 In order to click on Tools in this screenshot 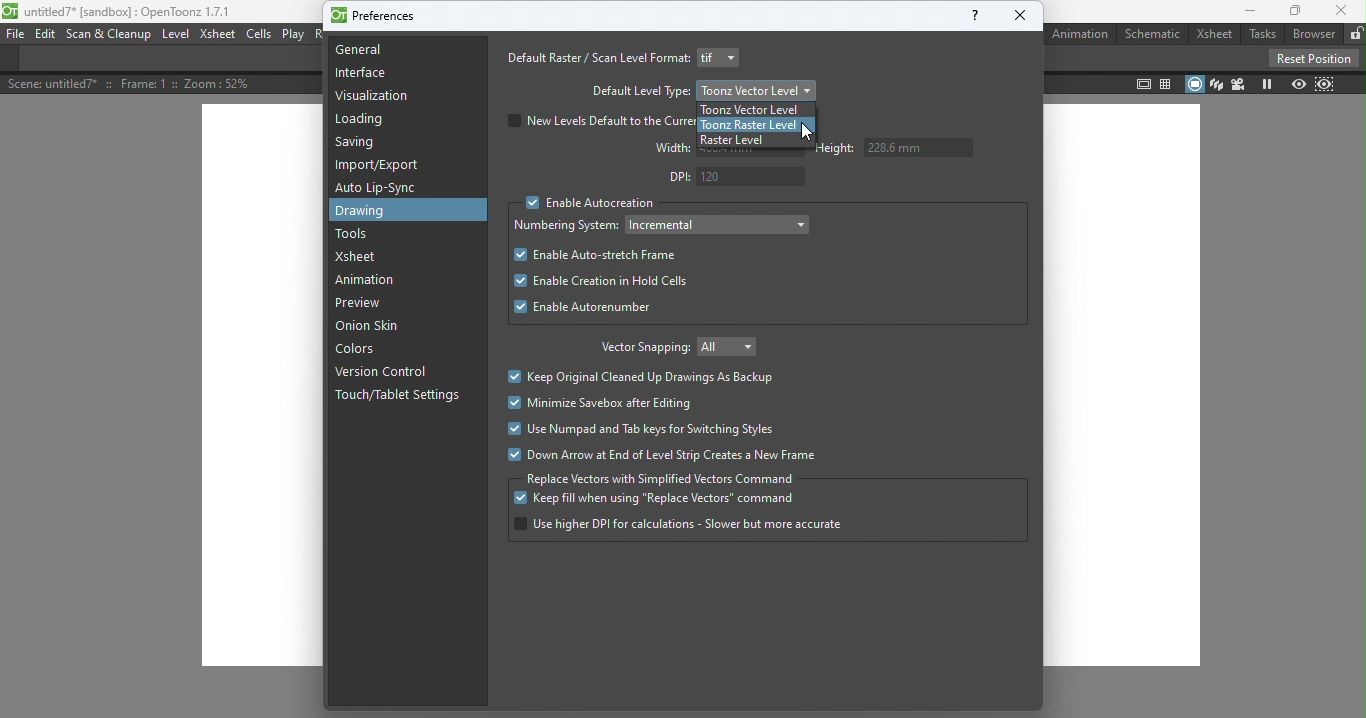, I will do `click(357, 236)`.